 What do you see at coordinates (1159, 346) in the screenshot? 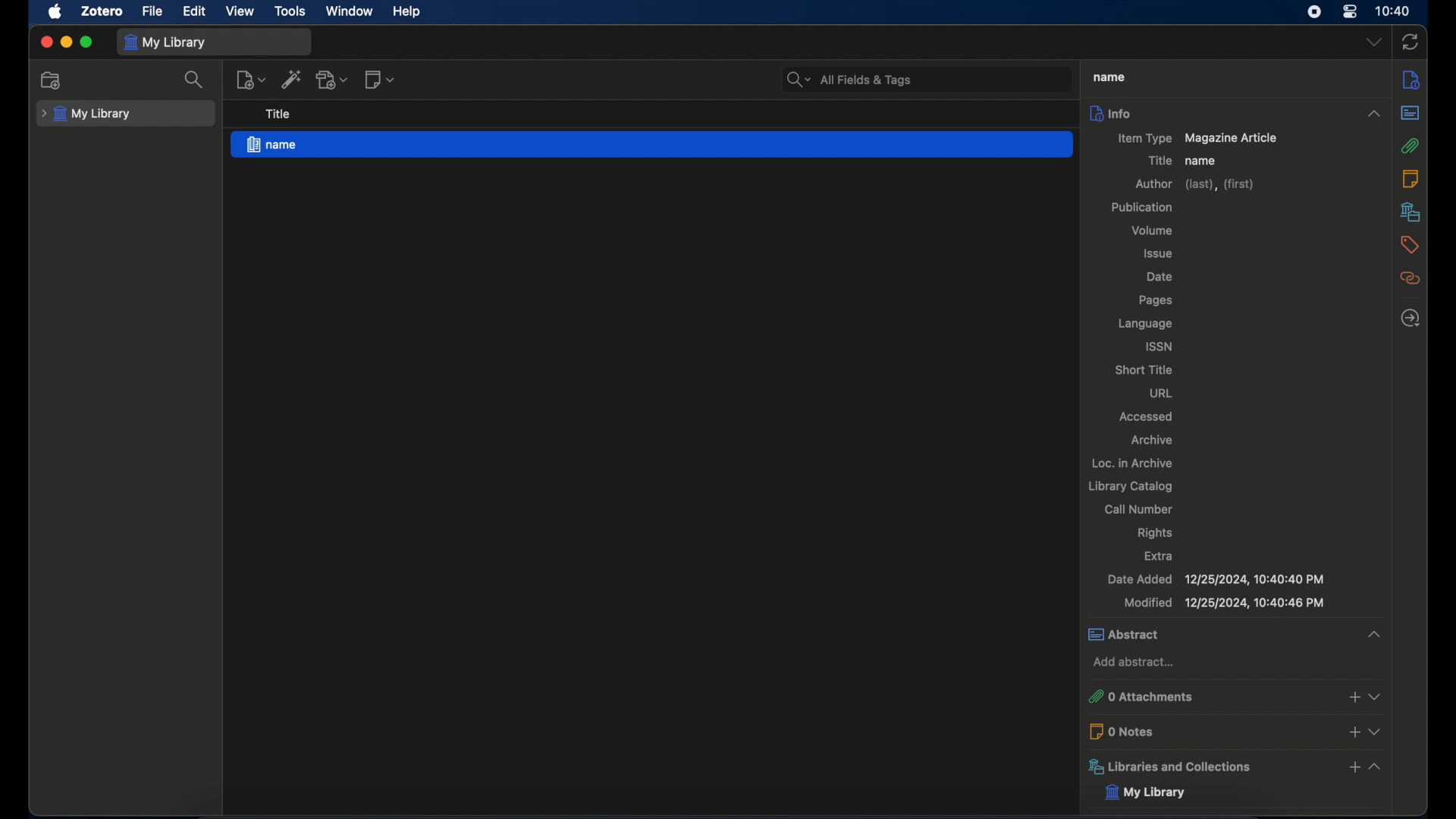
I see `issn` at bounding box center [1159, 346].